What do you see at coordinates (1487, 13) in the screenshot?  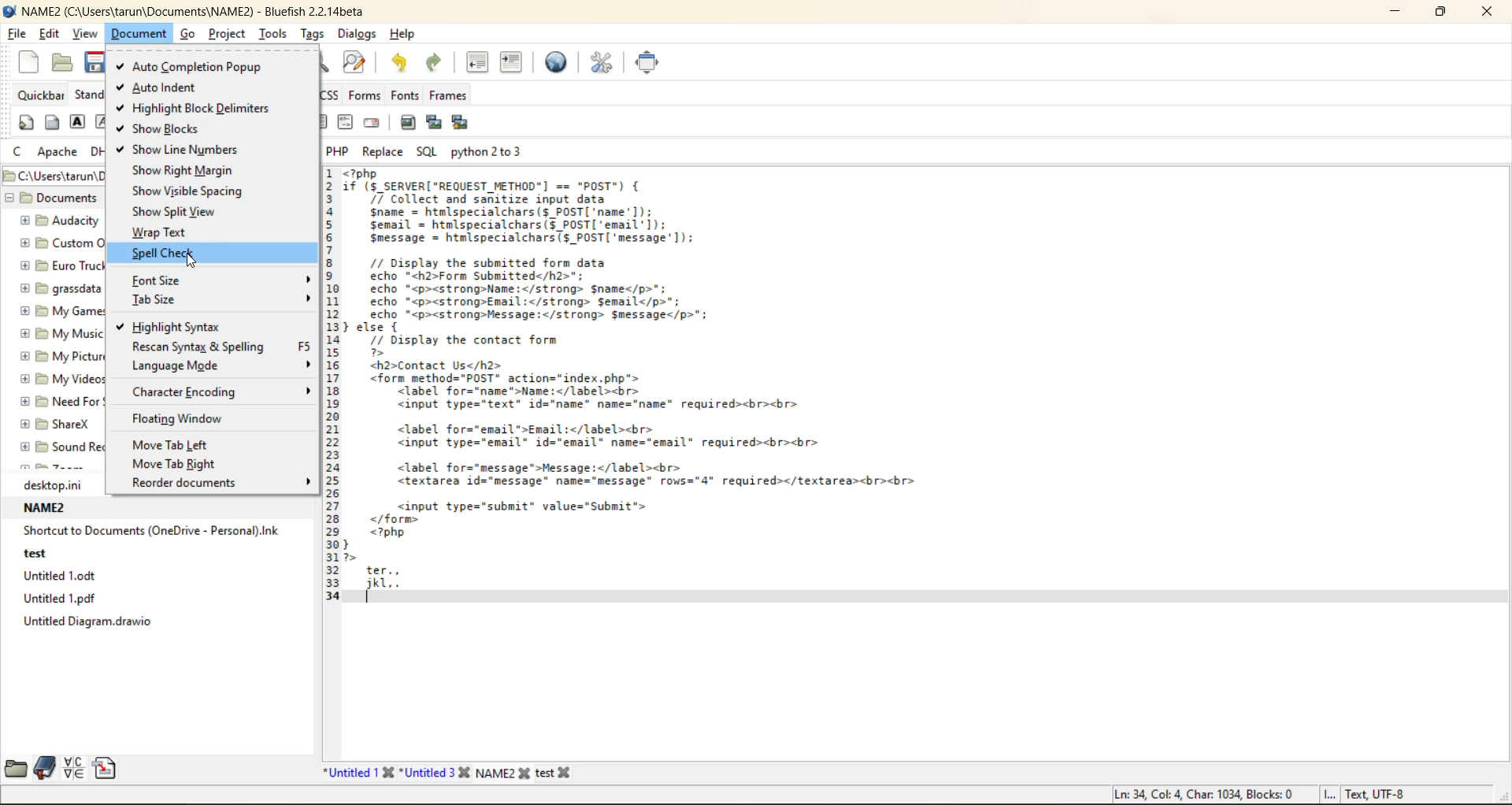 I see `close` at bounding box center [1487, 13].